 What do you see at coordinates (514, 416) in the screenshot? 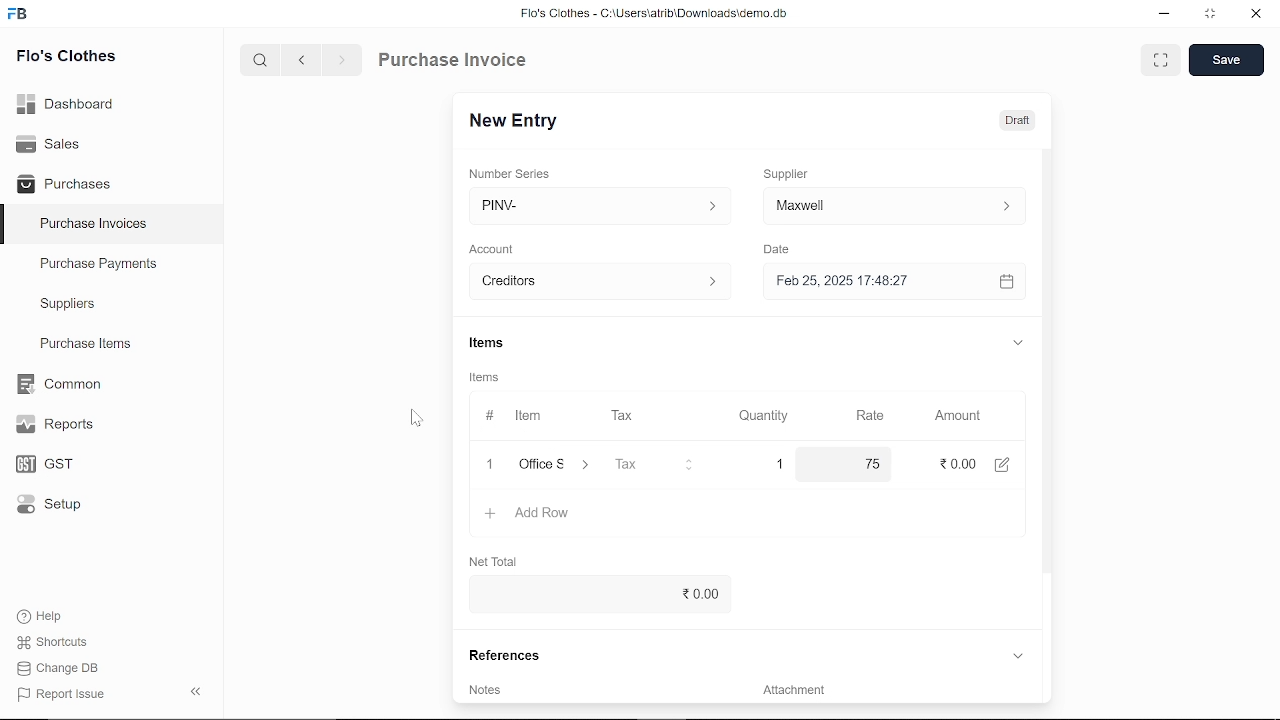
I see `Item` at bounding box center [514, 416].